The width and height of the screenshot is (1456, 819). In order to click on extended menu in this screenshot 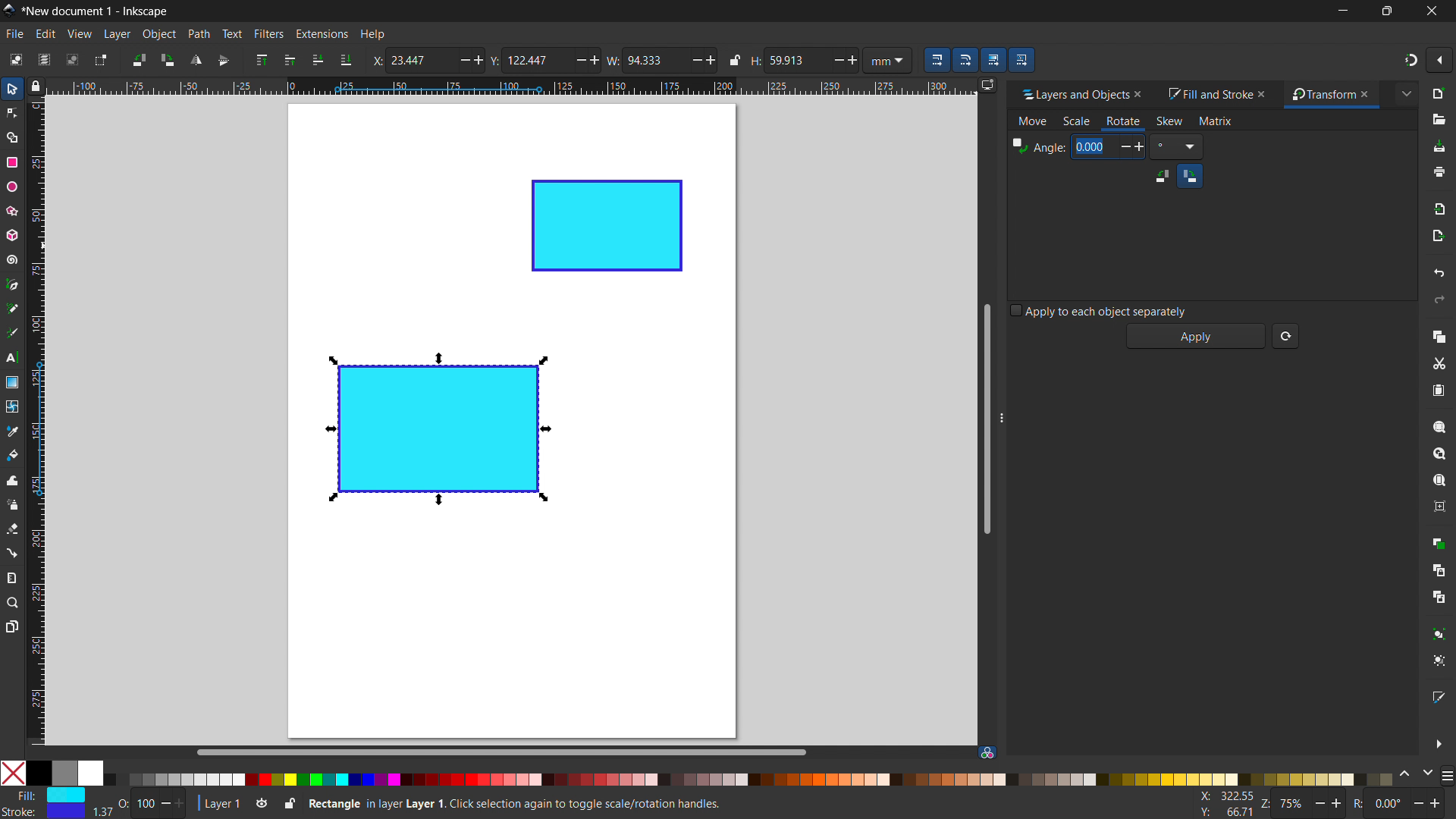, I will do `click(1406, 93)`.